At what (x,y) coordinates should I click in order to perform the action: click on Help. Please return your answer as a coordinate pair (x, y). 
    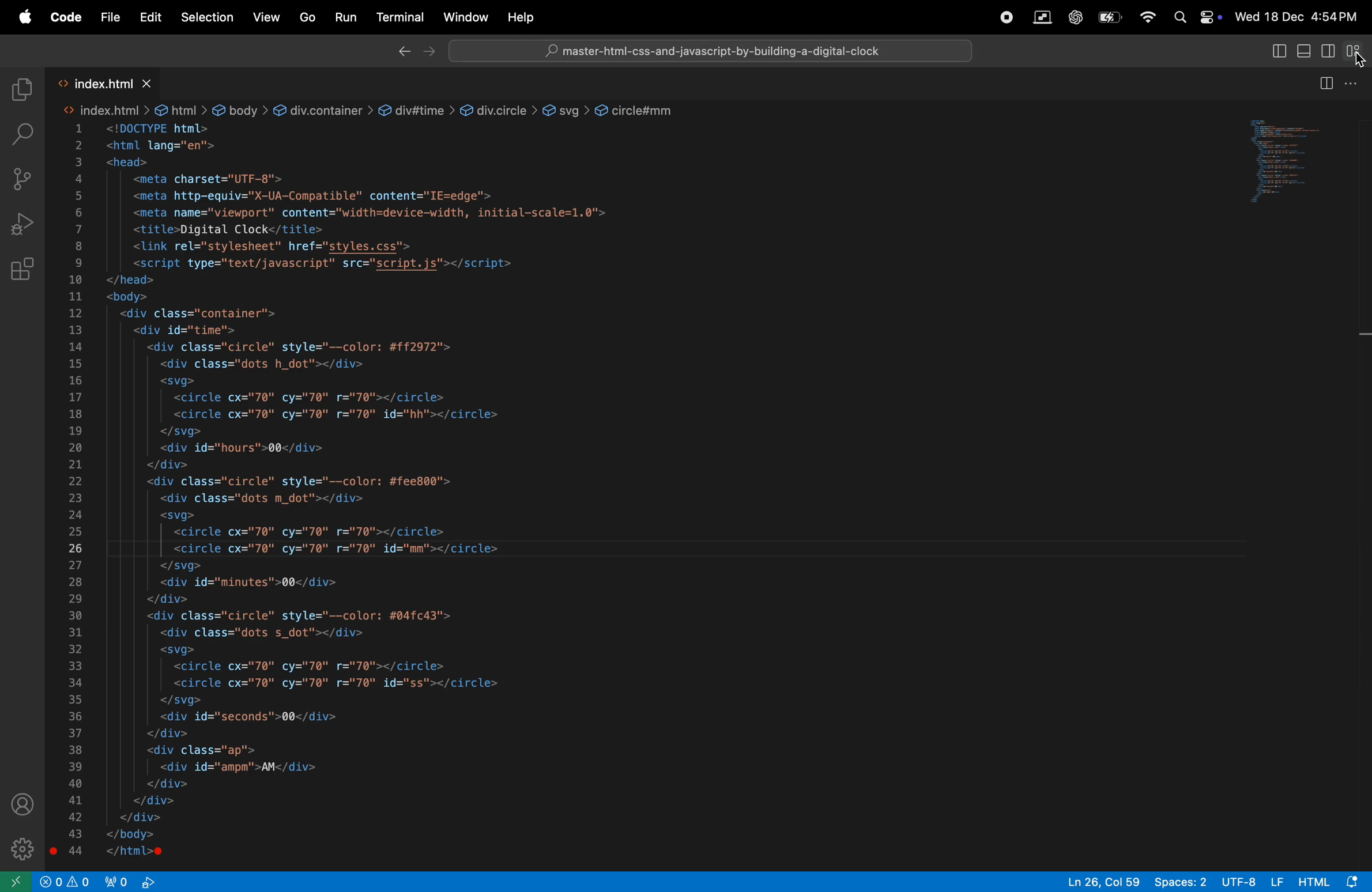
    Looking at the image, I should click on (525, 18).